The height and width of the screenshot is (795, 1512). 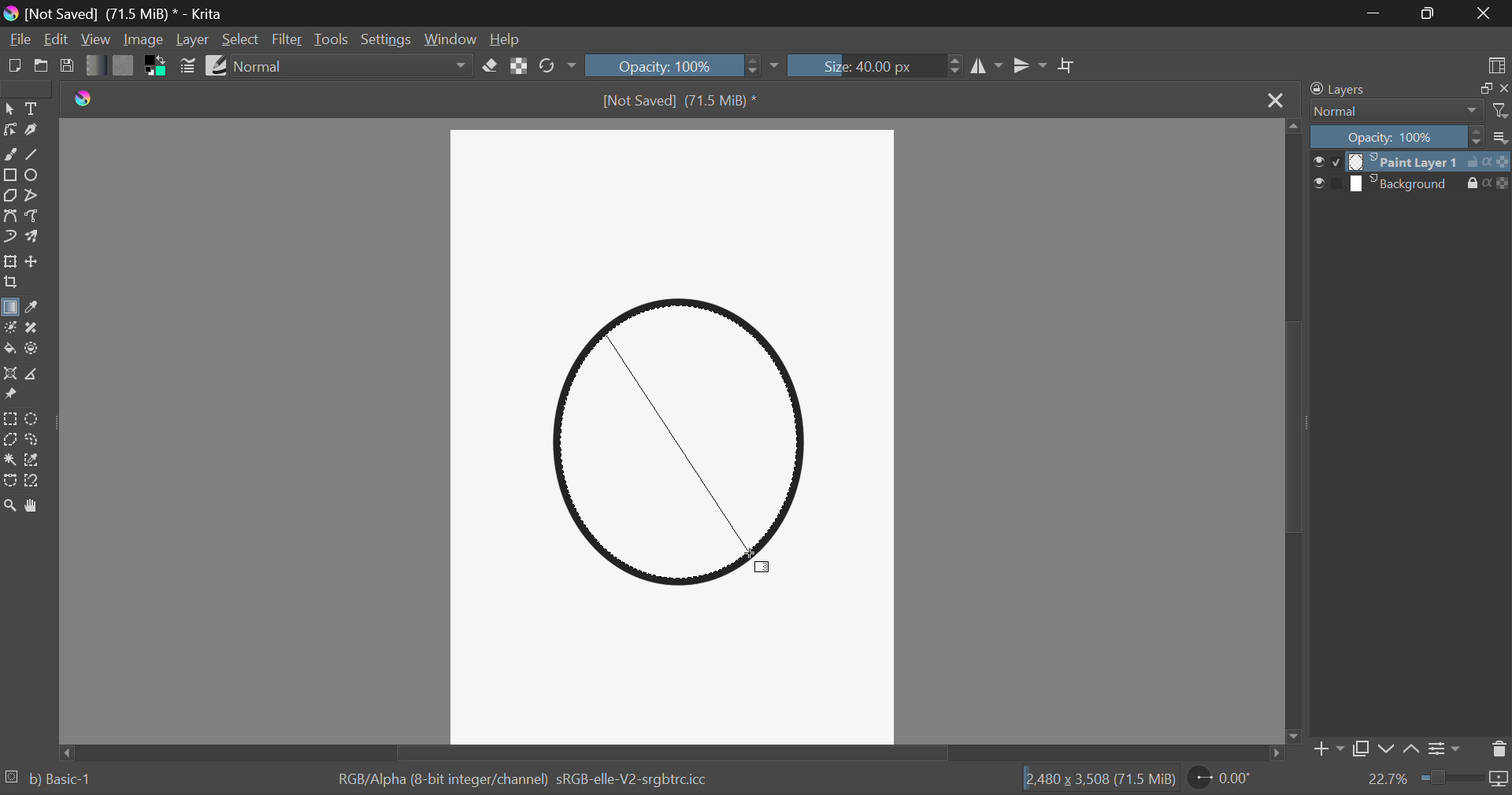 I want to click on layer 1, so click(x=1405, y=162).